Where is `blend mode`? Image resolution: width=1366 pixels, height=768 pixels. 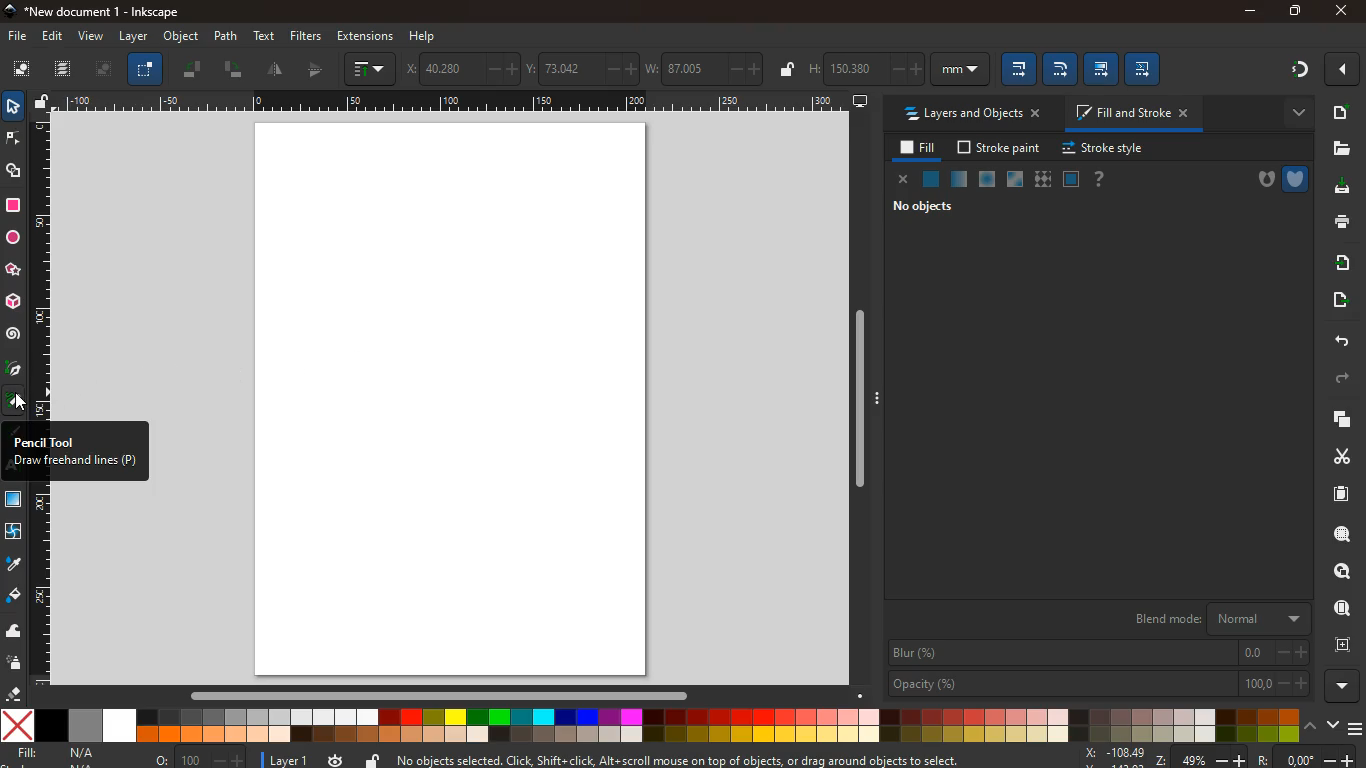 blend mode is located at coordinates (1223, 619).